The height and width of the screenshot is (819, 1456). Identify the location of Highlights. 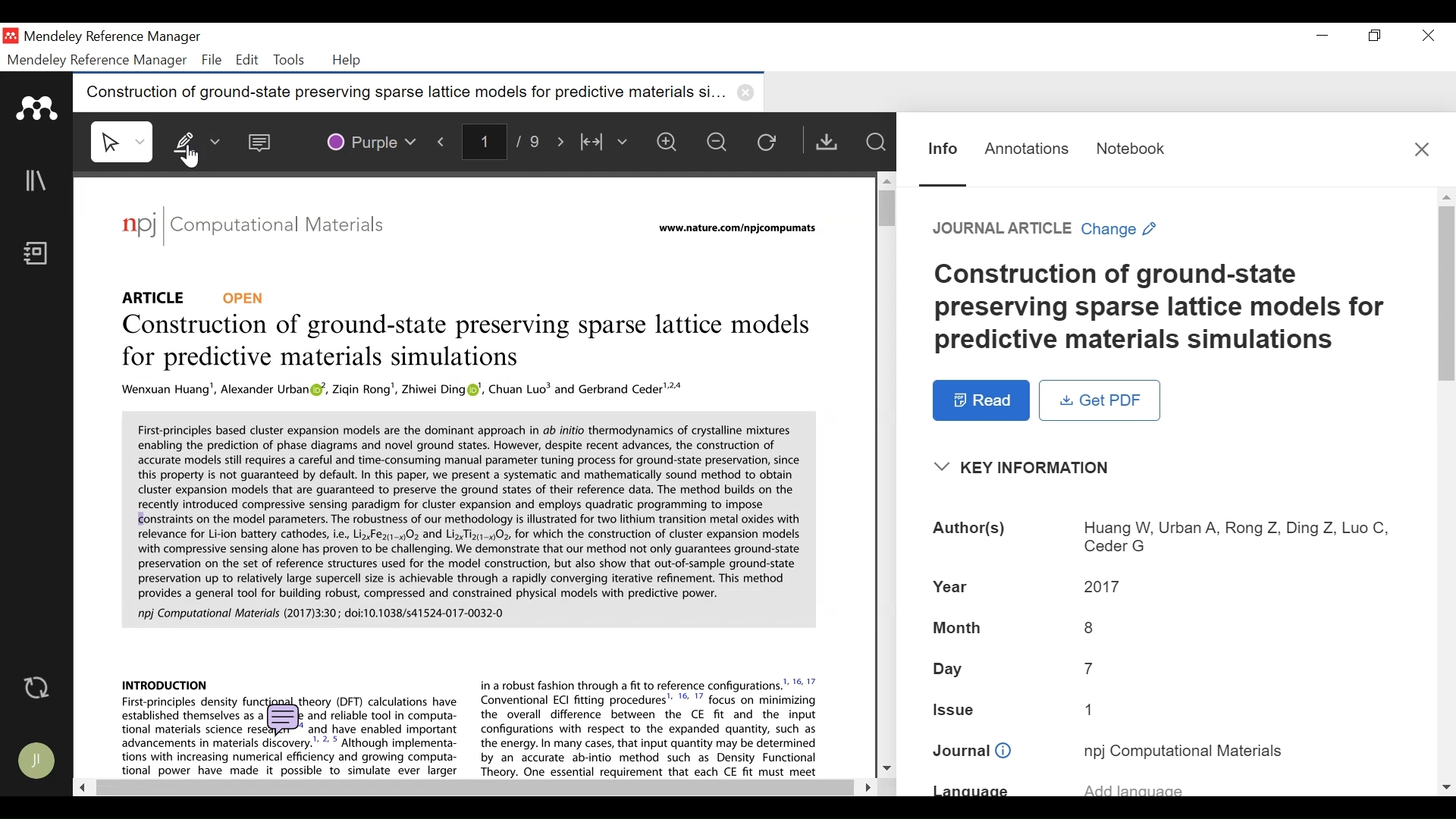
(195, 140).